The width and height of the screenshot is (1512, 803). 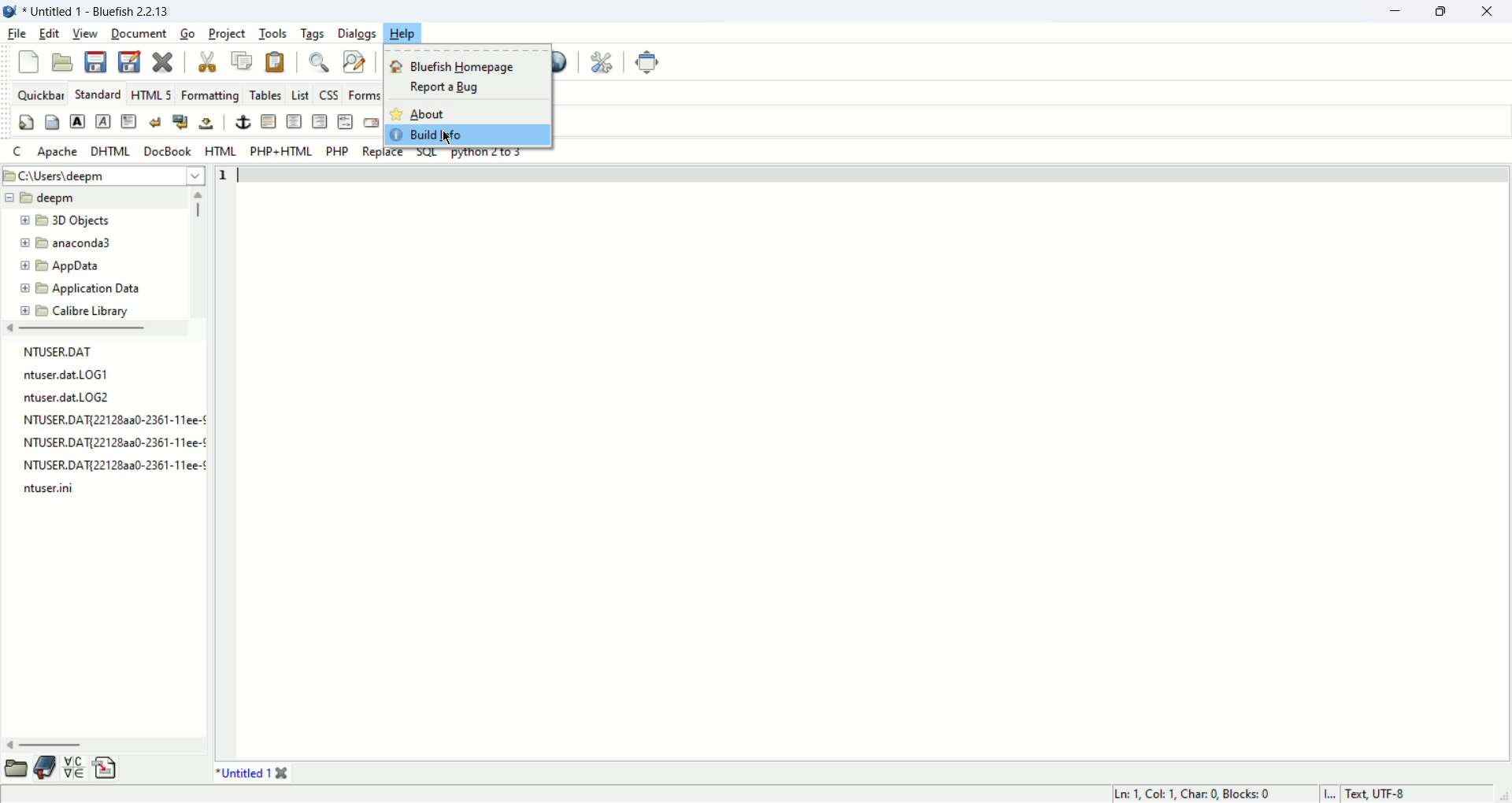 What do you see at coordinates (103, 176) in the screenshot?
I see `File path` at bounding box center [103, 176].